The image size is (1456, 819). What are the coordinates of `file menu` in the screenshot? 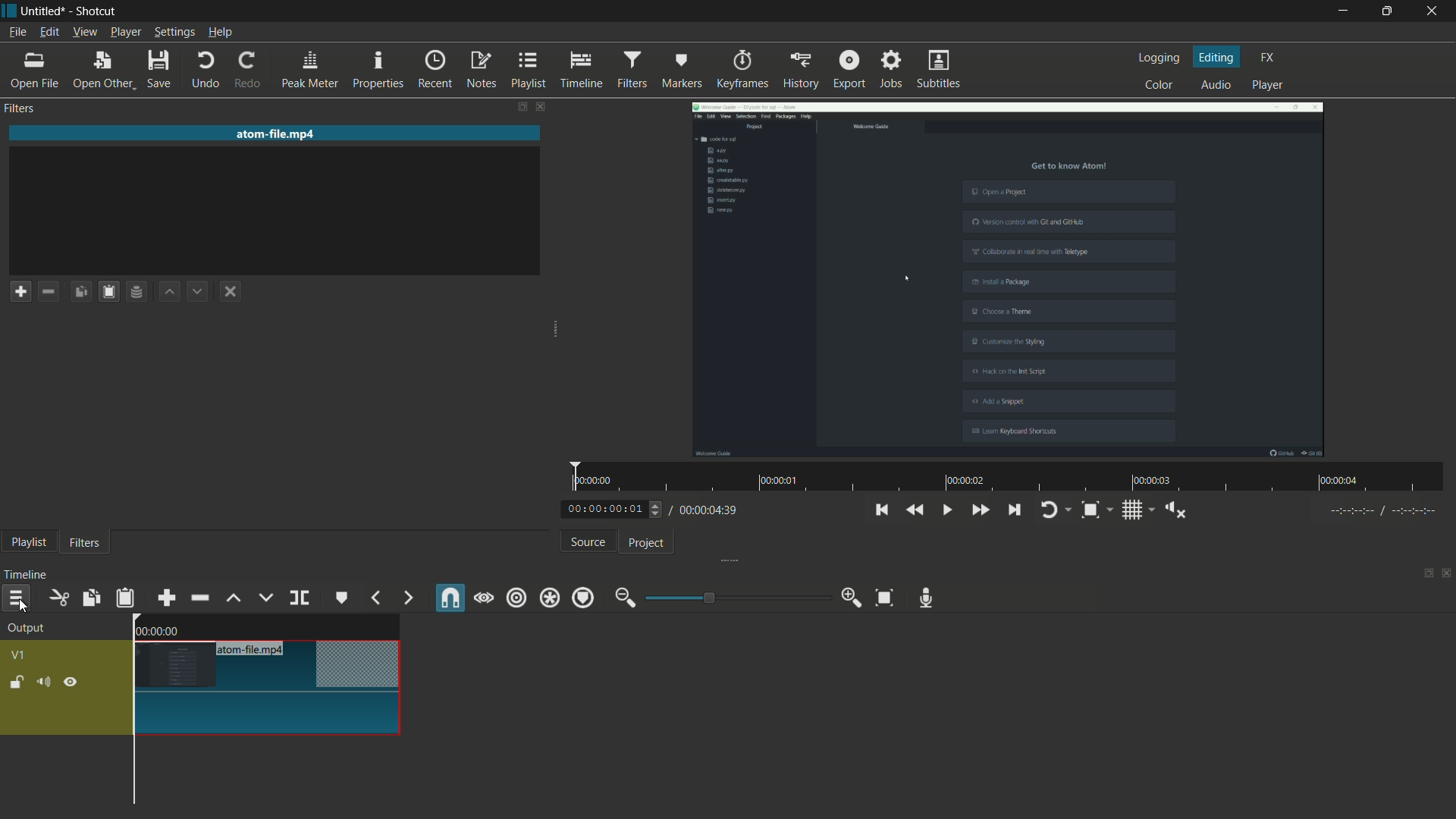 It's located at (18, 32).